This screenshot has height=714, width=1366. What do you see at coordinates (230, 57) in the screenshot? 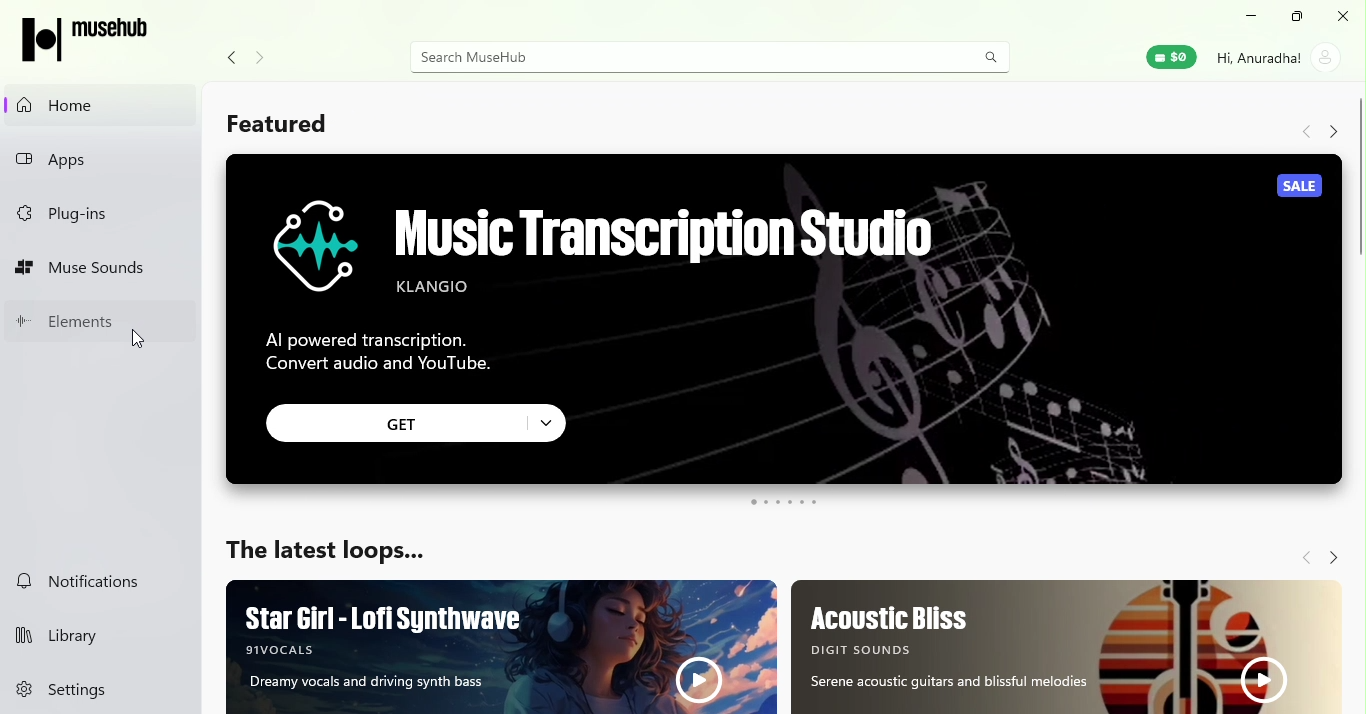
I see `Navigate back` at bounding box center [230, 57].